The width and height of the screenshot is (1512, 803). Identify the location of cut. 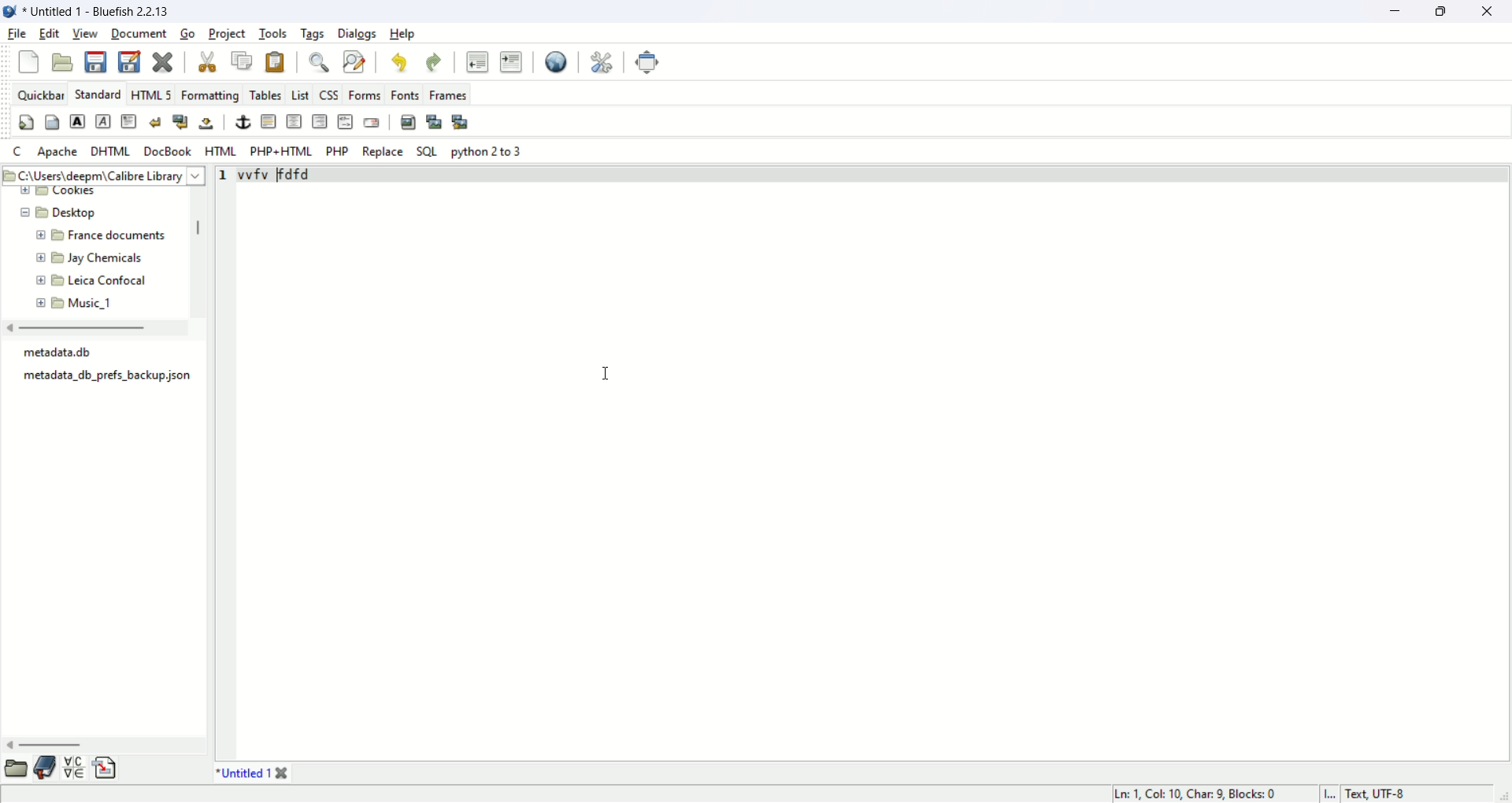
(208, 62).